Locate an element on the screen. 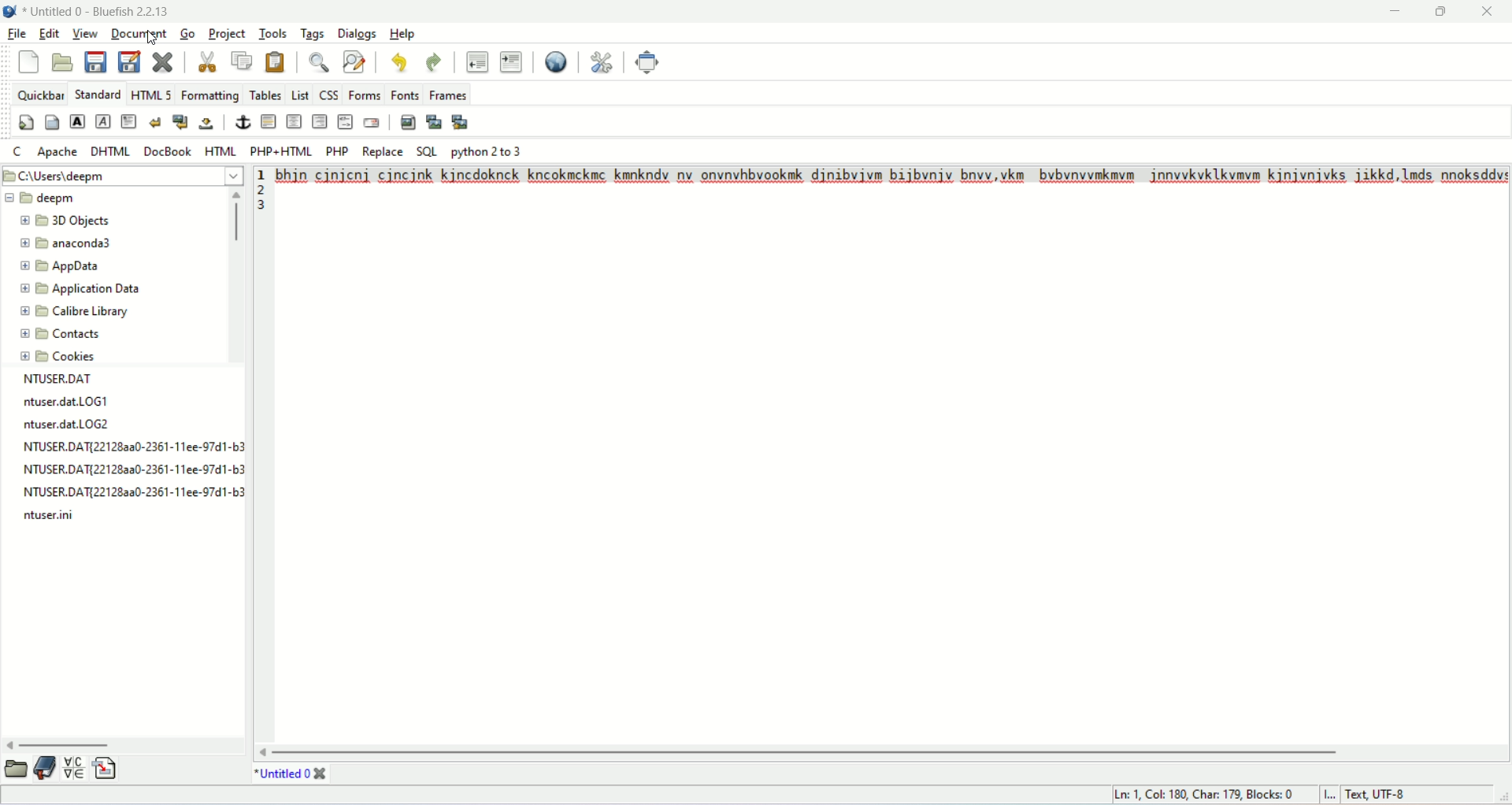 Image resolution: width=1512 pixels, height=805 pixels. save file as is located at coordinates (130, 62).